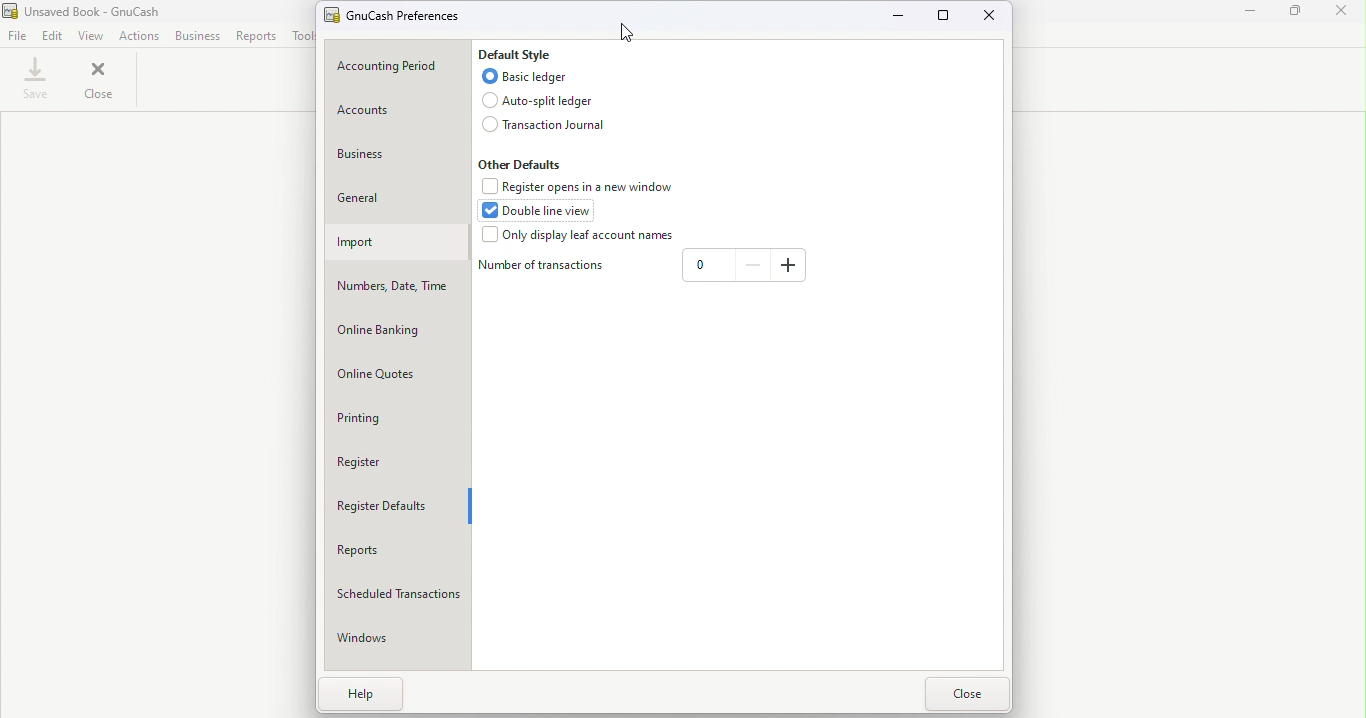  What do you see at coordinates (389, 111) in the screenshot?
I see `Accounts` at bounding box center [389, 111].